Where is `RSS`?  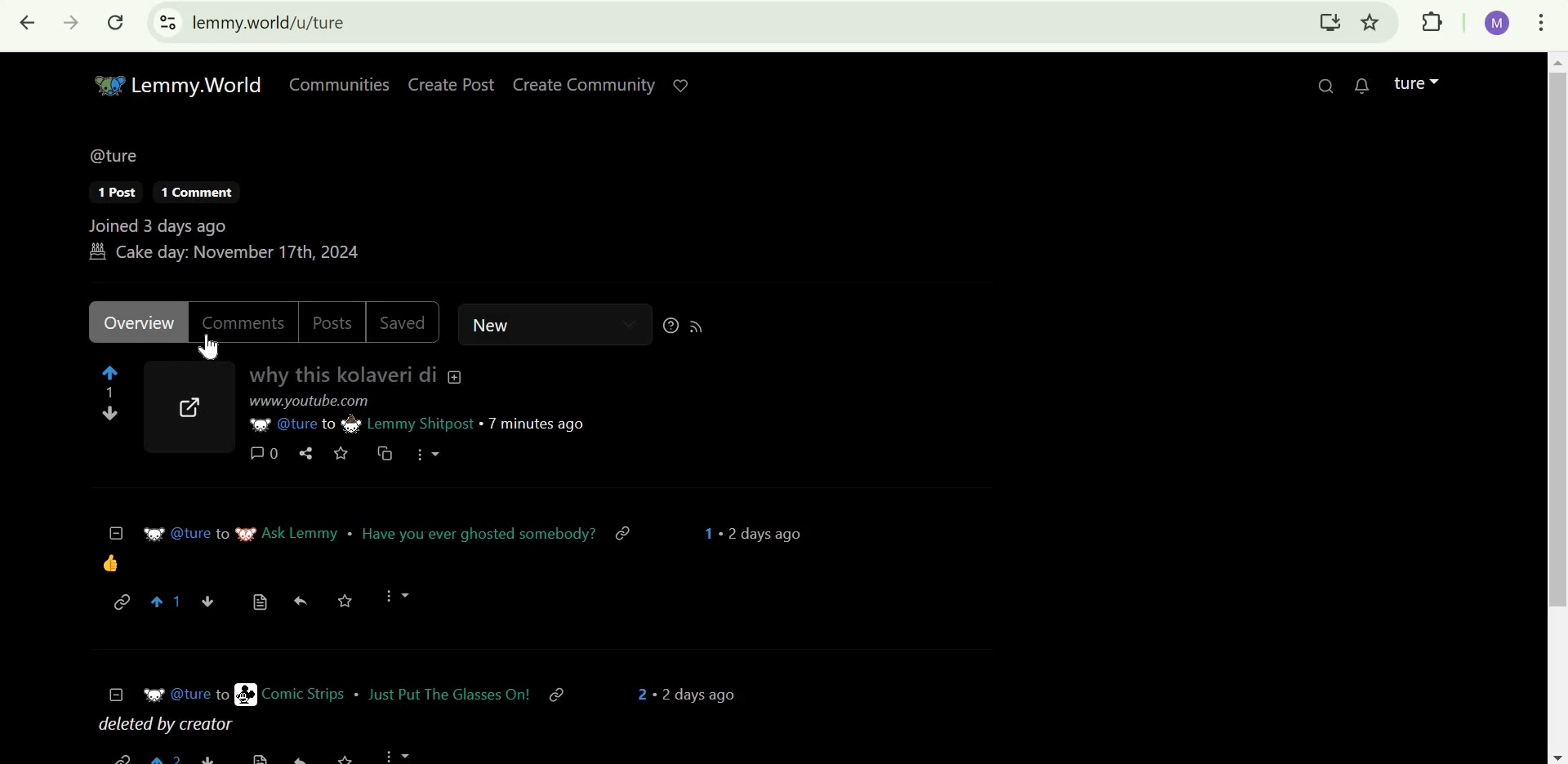
RSS is located at coordinates (704, 327).